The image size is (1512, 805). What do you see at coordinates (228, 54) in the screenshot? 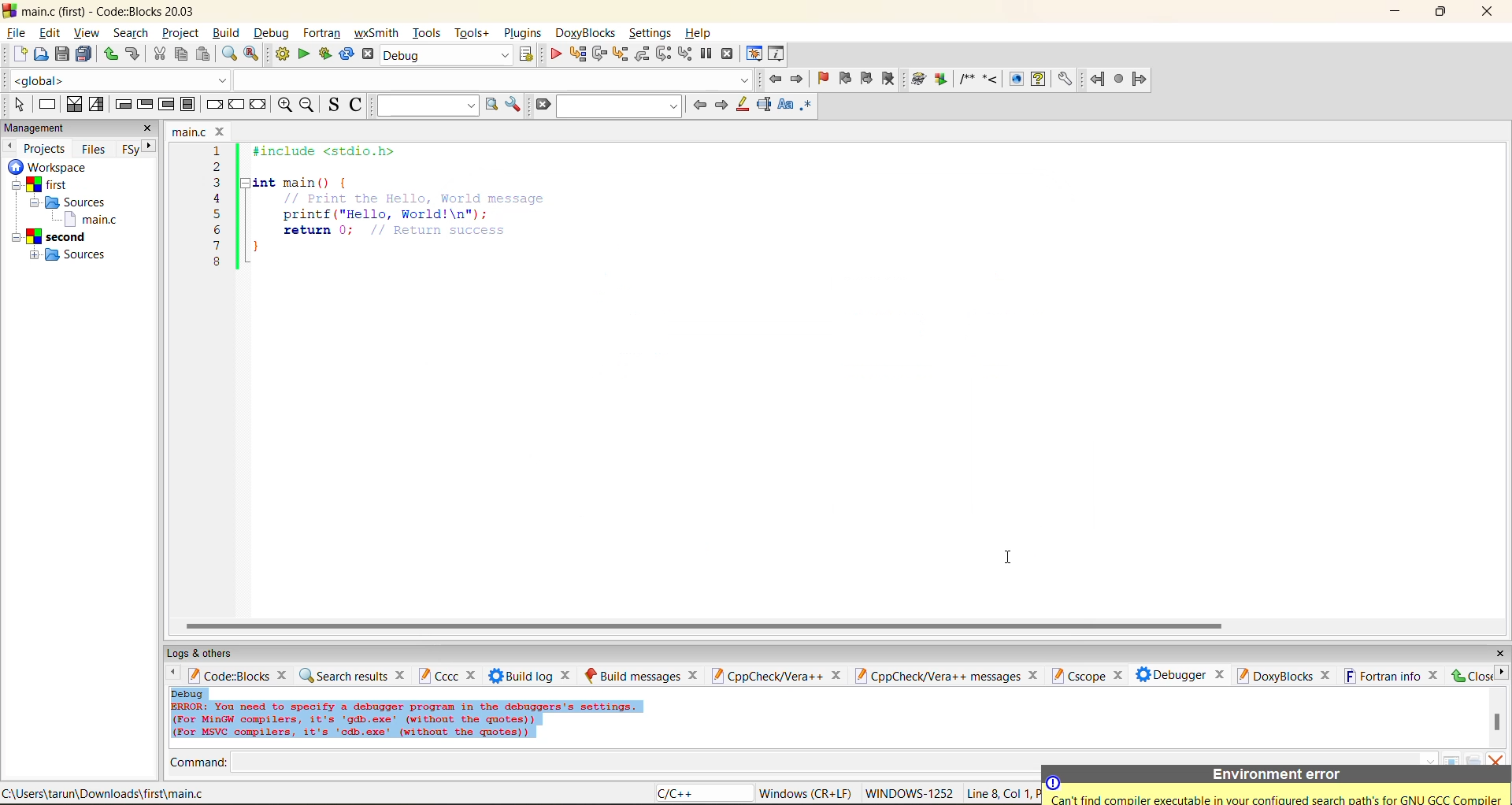
I see `find` at bounding box center [228, 54].